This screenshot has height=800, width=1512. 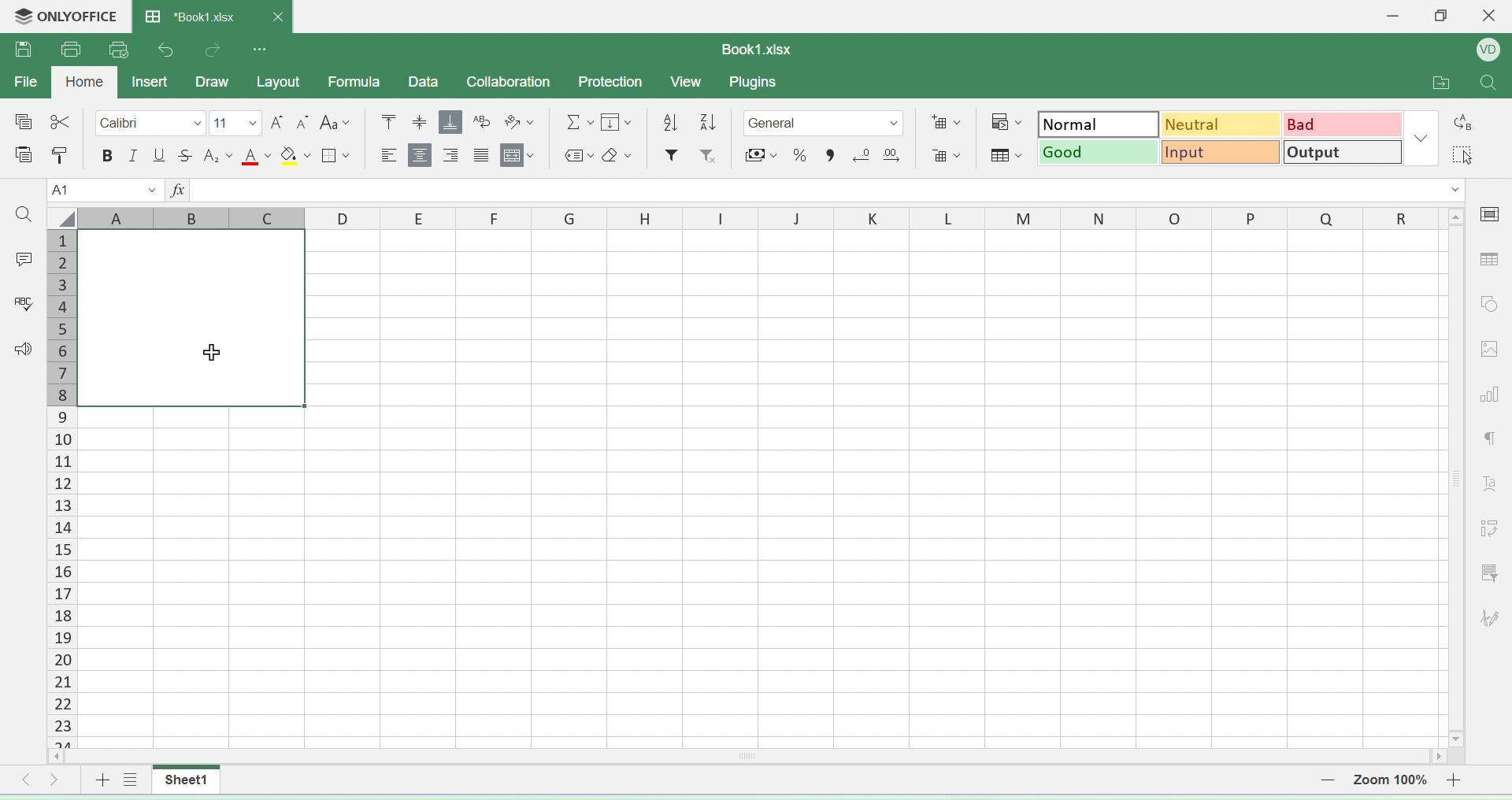 What do you see at coordinates (421, 123) in the screenshot?
I see `align center` at bounding box center [421, 123].